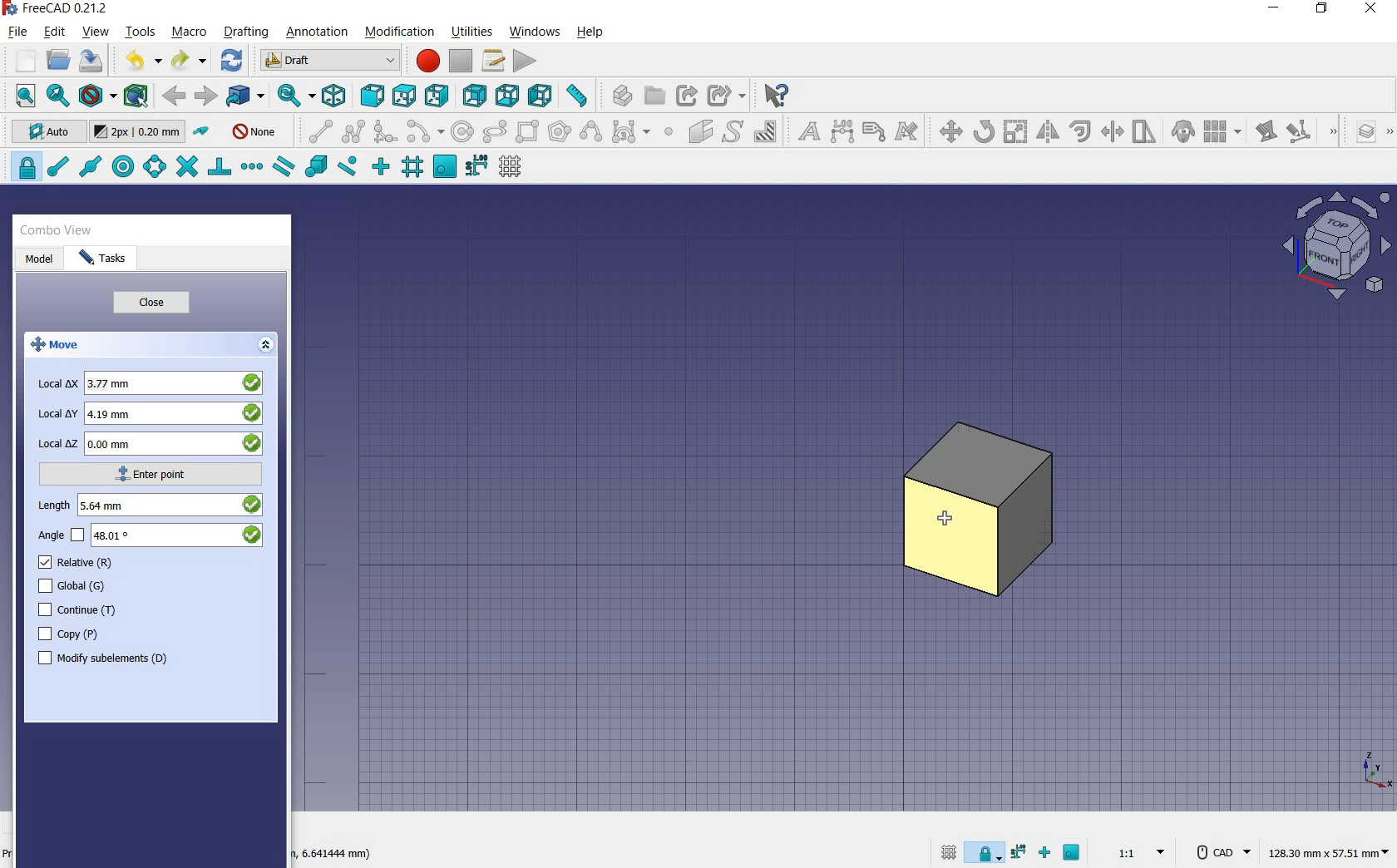 The image size is (1397, 868). Describe the element at coordinates (464, 131) in the screenshot. I see `circle` at that location.